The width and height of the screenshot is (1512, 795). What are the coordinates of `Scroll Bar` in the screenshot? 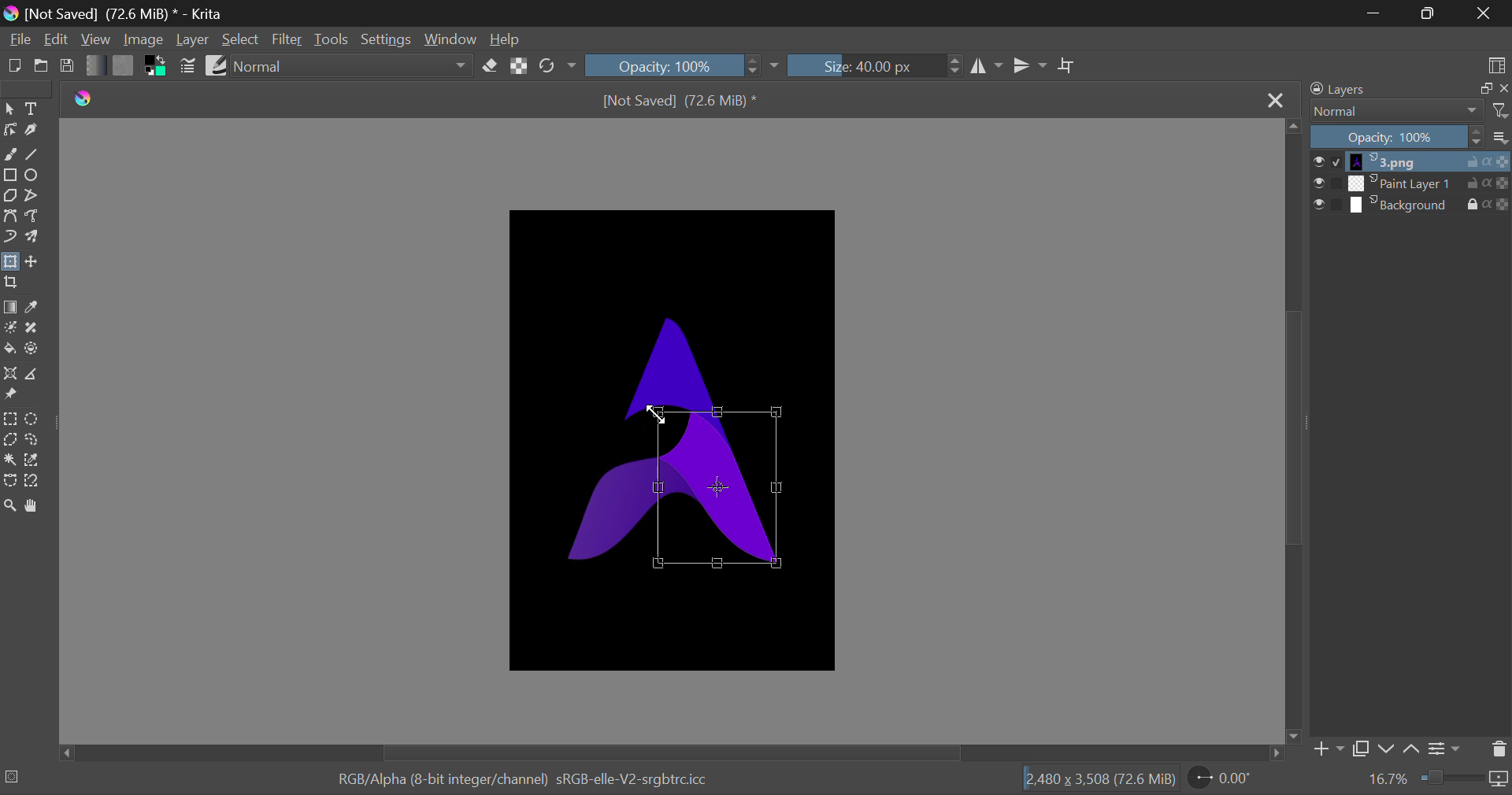 It's located at (1293, 431).